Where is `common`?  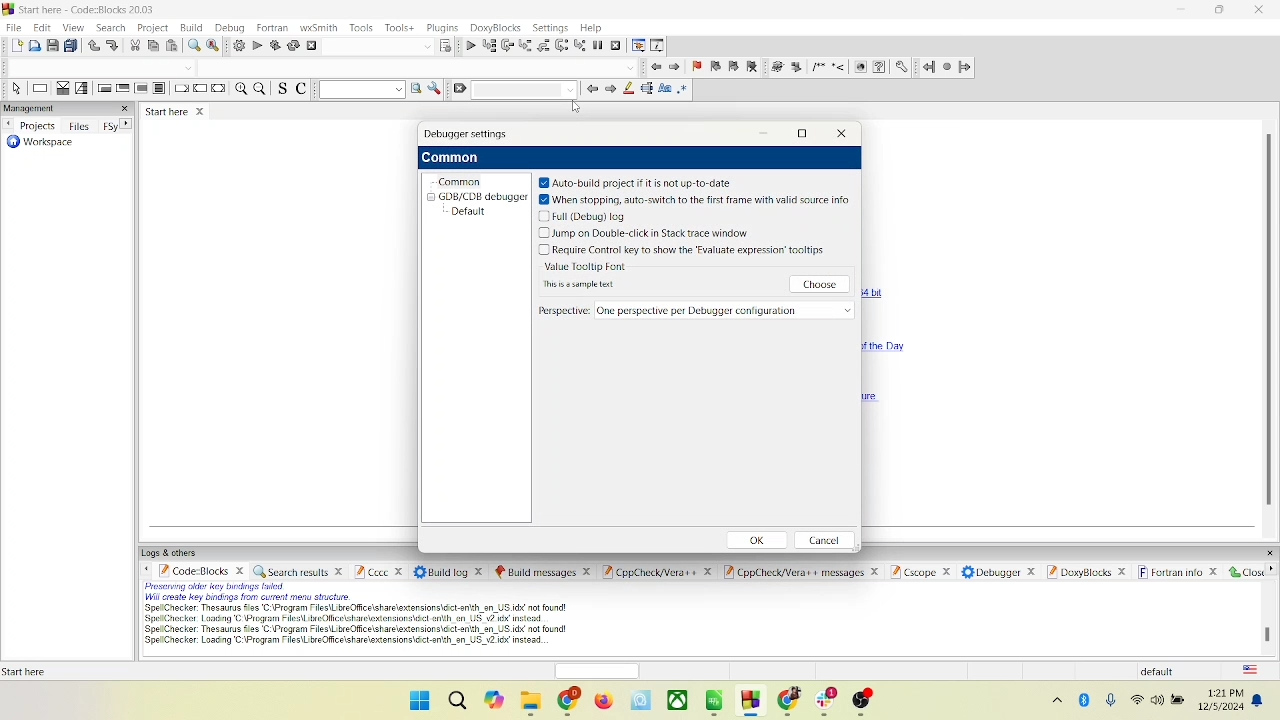 common is located at coordinates (455, 158).